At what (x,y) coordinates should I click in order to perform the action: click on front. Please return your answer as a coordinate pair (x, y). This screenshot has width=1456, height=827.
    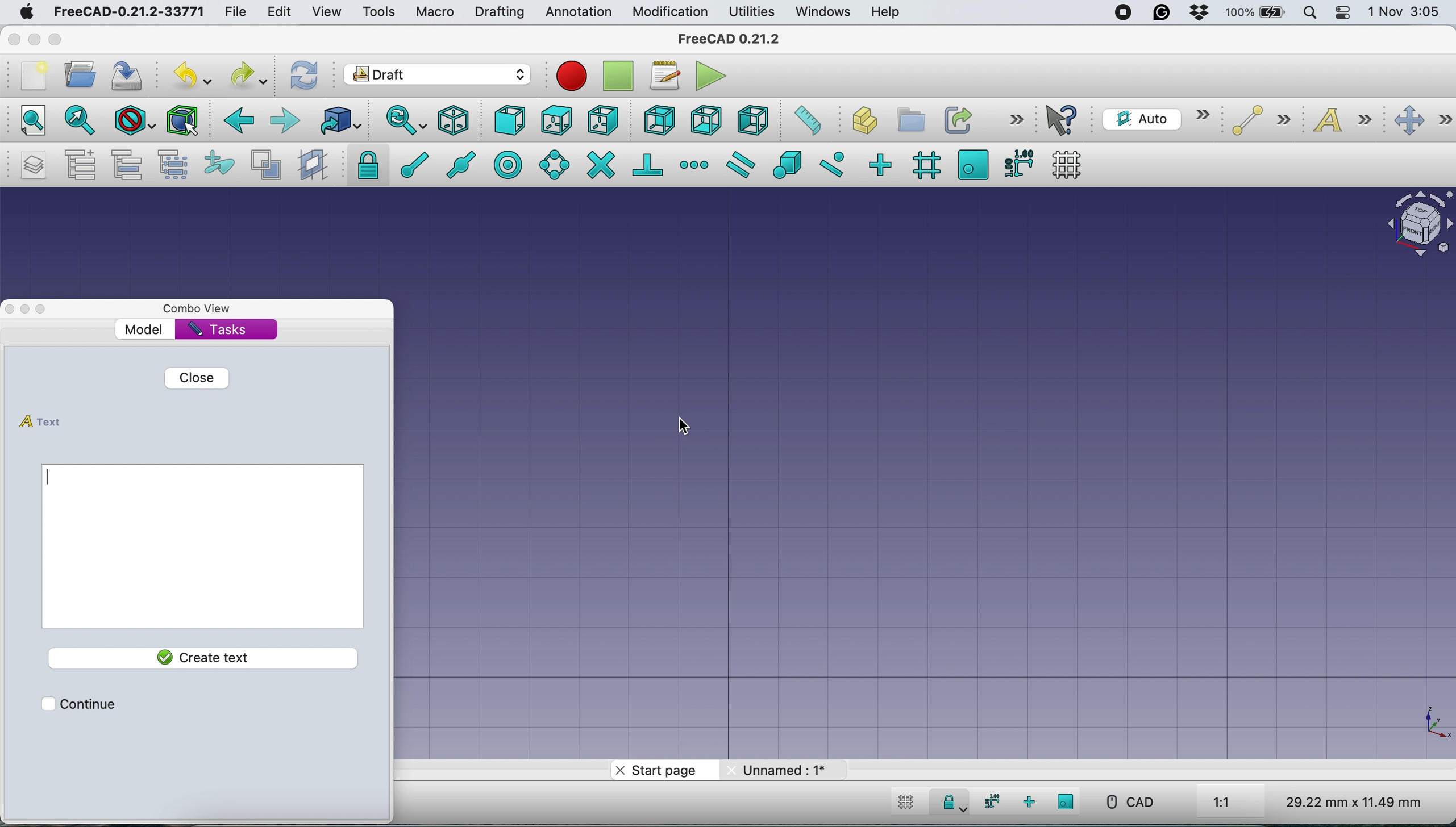
    Looking at the image, I should click on (506, 119).